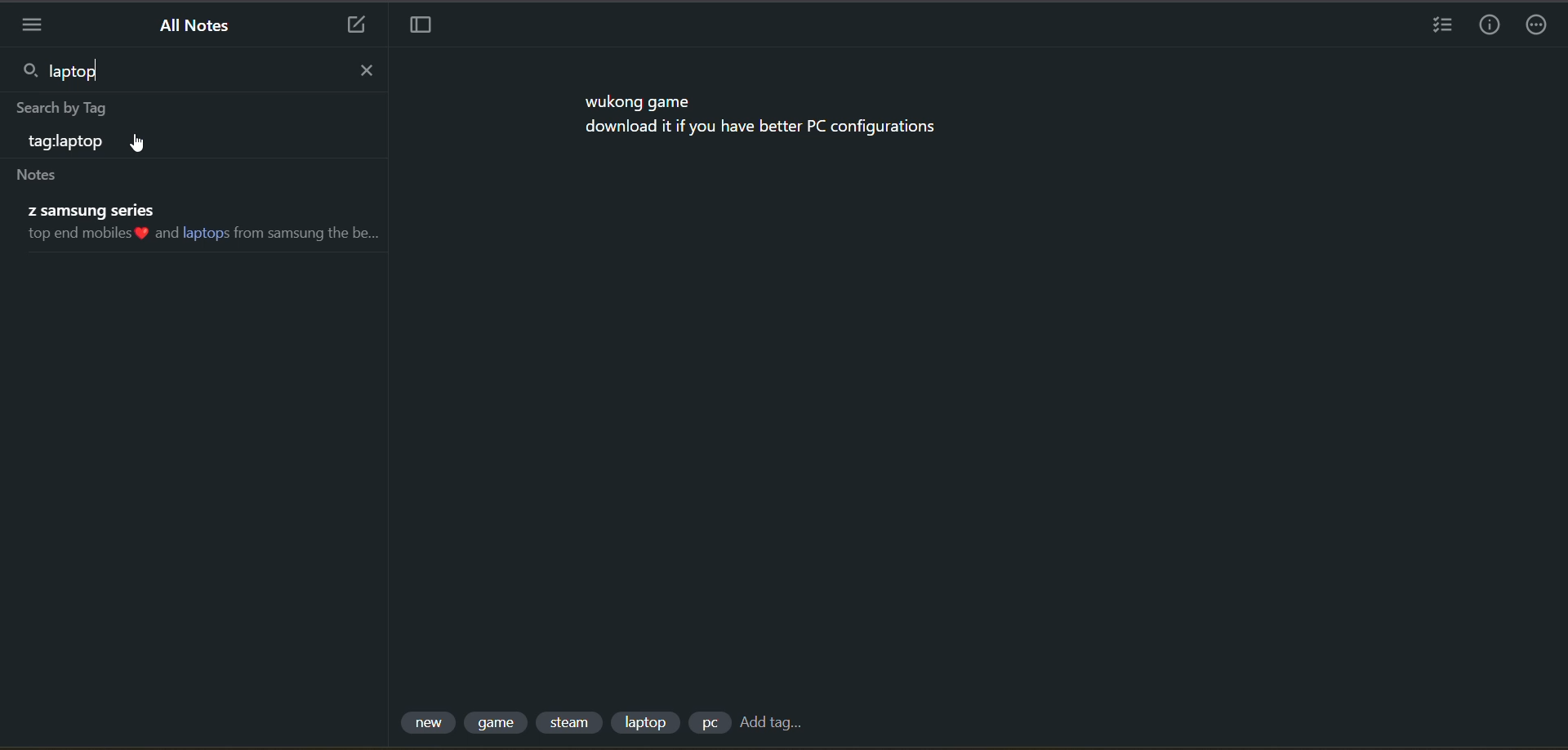 The width and height of the screenshot is (1568, 750). Describe the element at coordinates (355, 24) in the screenshot. I see `new note` at that location.